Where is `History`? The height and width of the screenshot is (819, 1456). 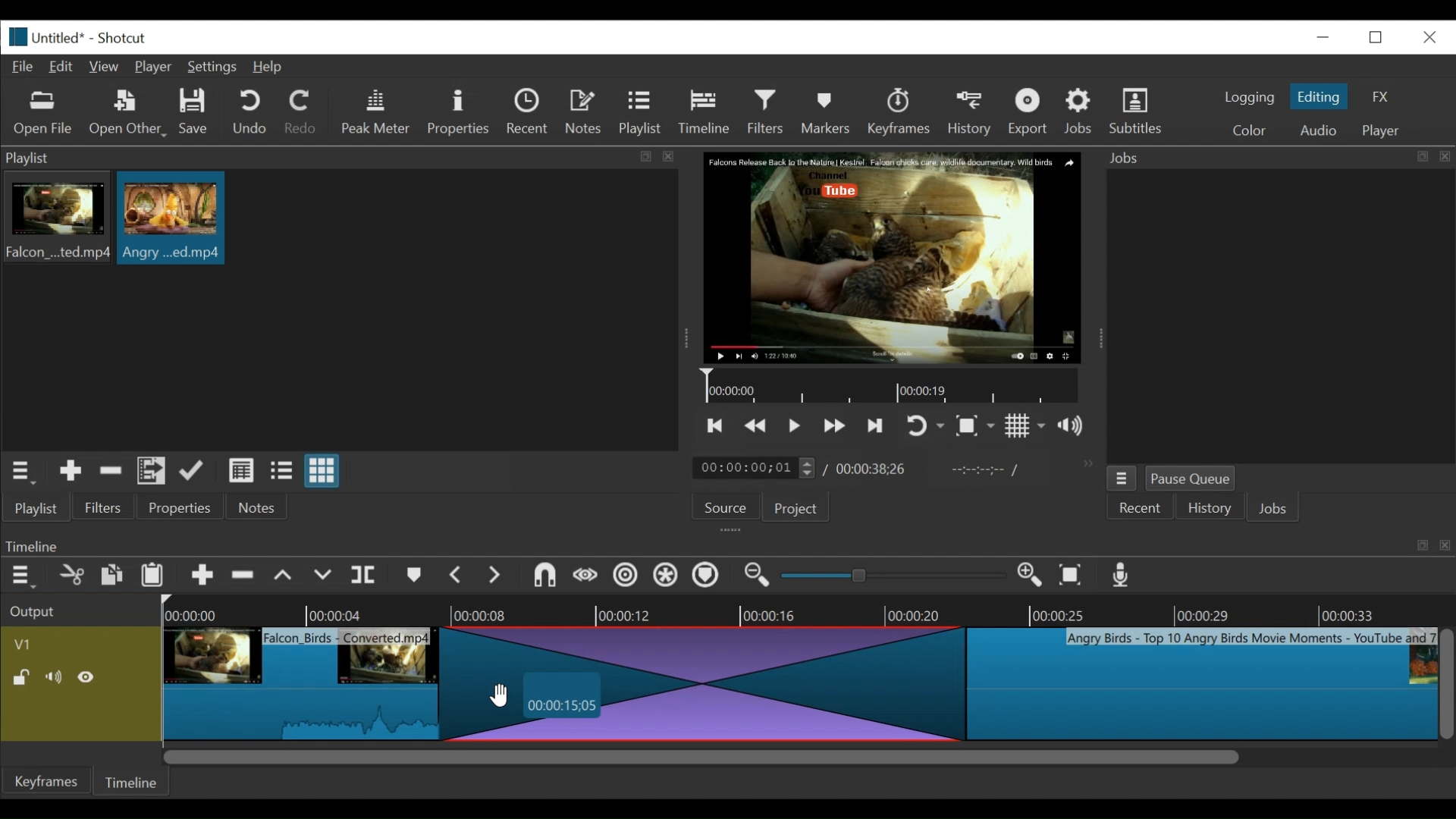 History is located at coordinates (1210, 510).